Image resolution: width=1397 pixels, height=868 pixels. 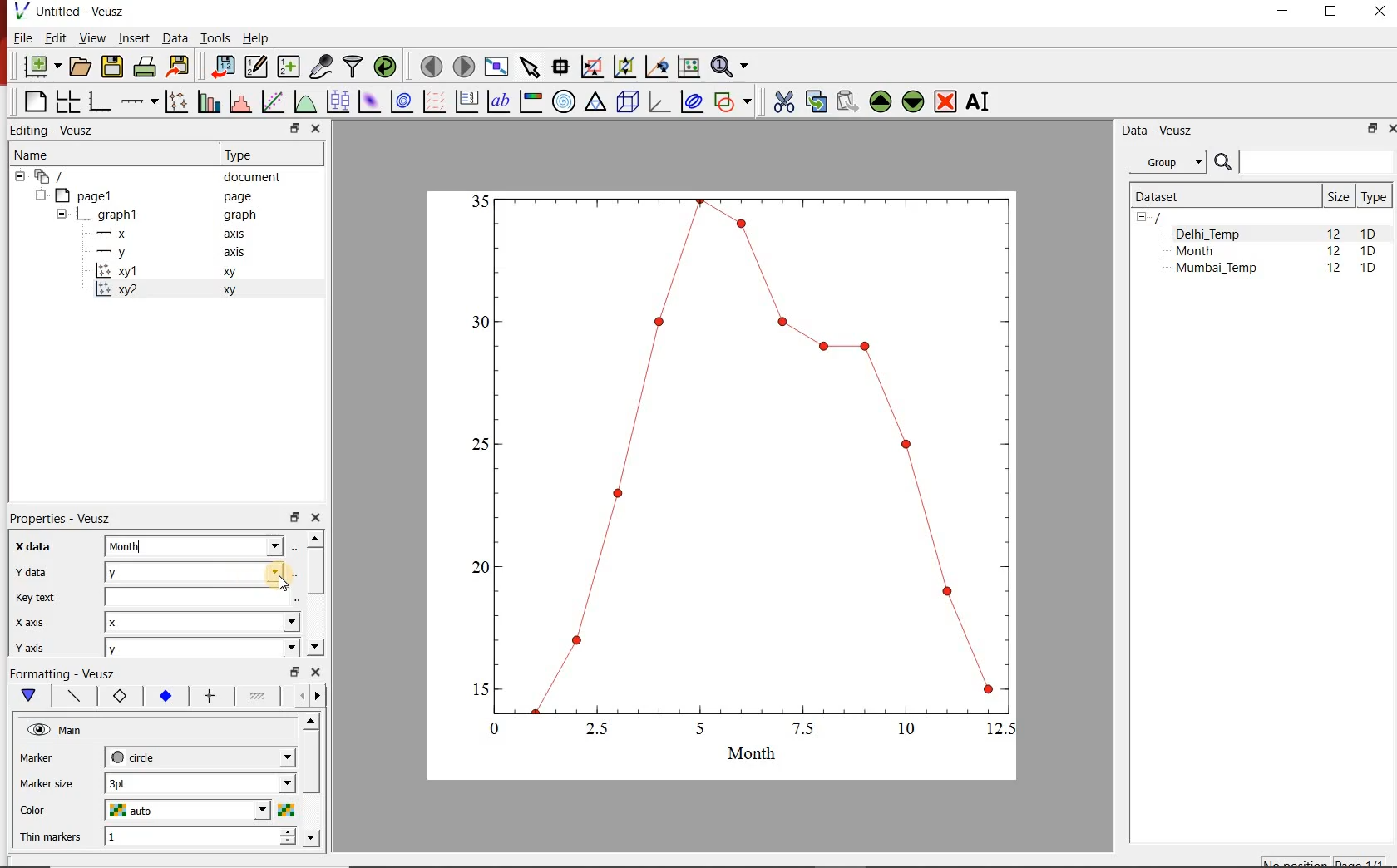 I want to click on capture remote data, so click(x=322, y=67).